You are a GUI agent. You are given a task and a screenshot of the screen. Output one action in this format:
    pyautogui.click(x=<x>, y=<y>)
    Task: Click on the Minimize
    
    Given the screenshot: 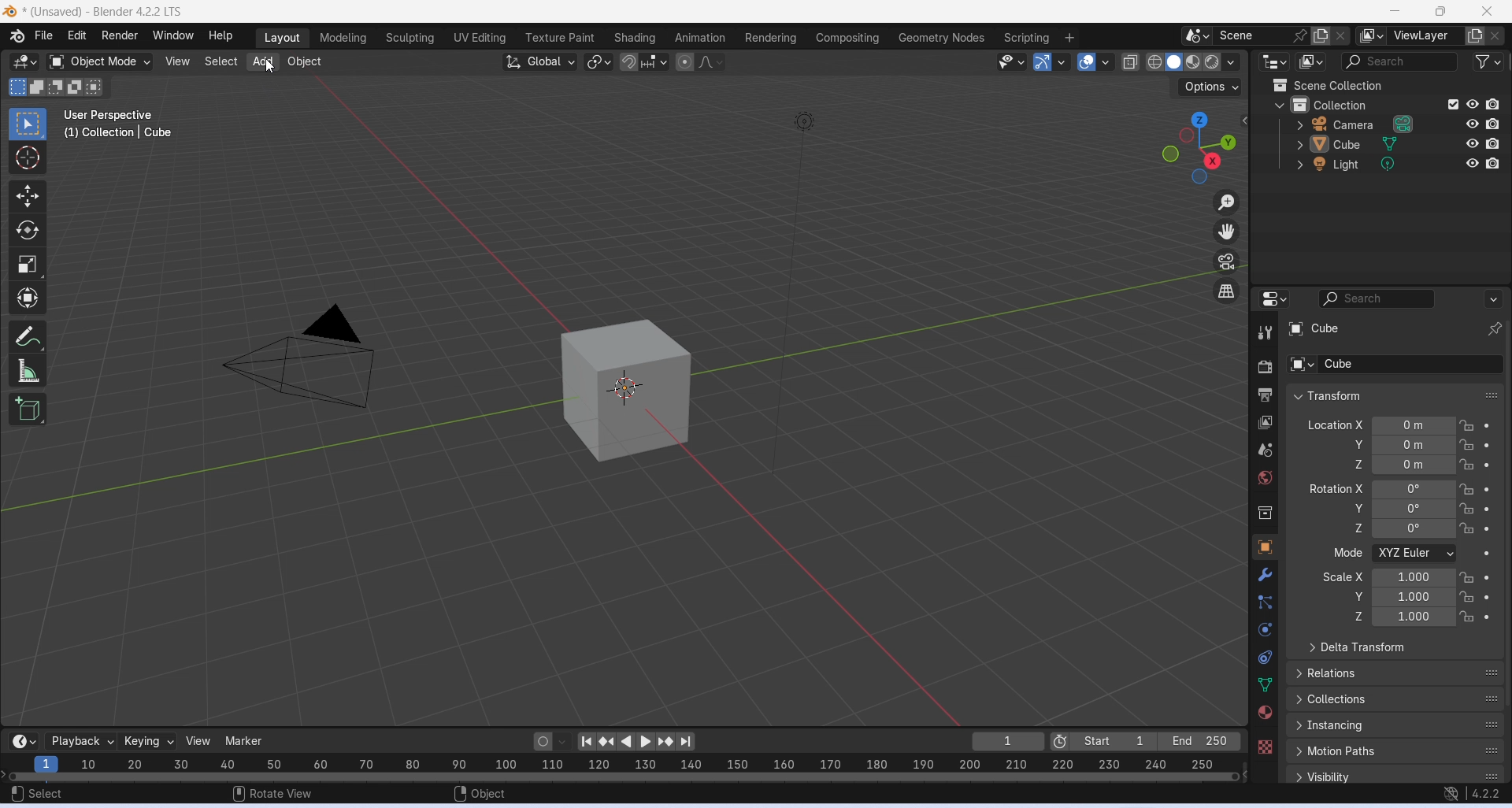 What is the action you would take?
    pyautogui.click(x=1392, y=12)
    